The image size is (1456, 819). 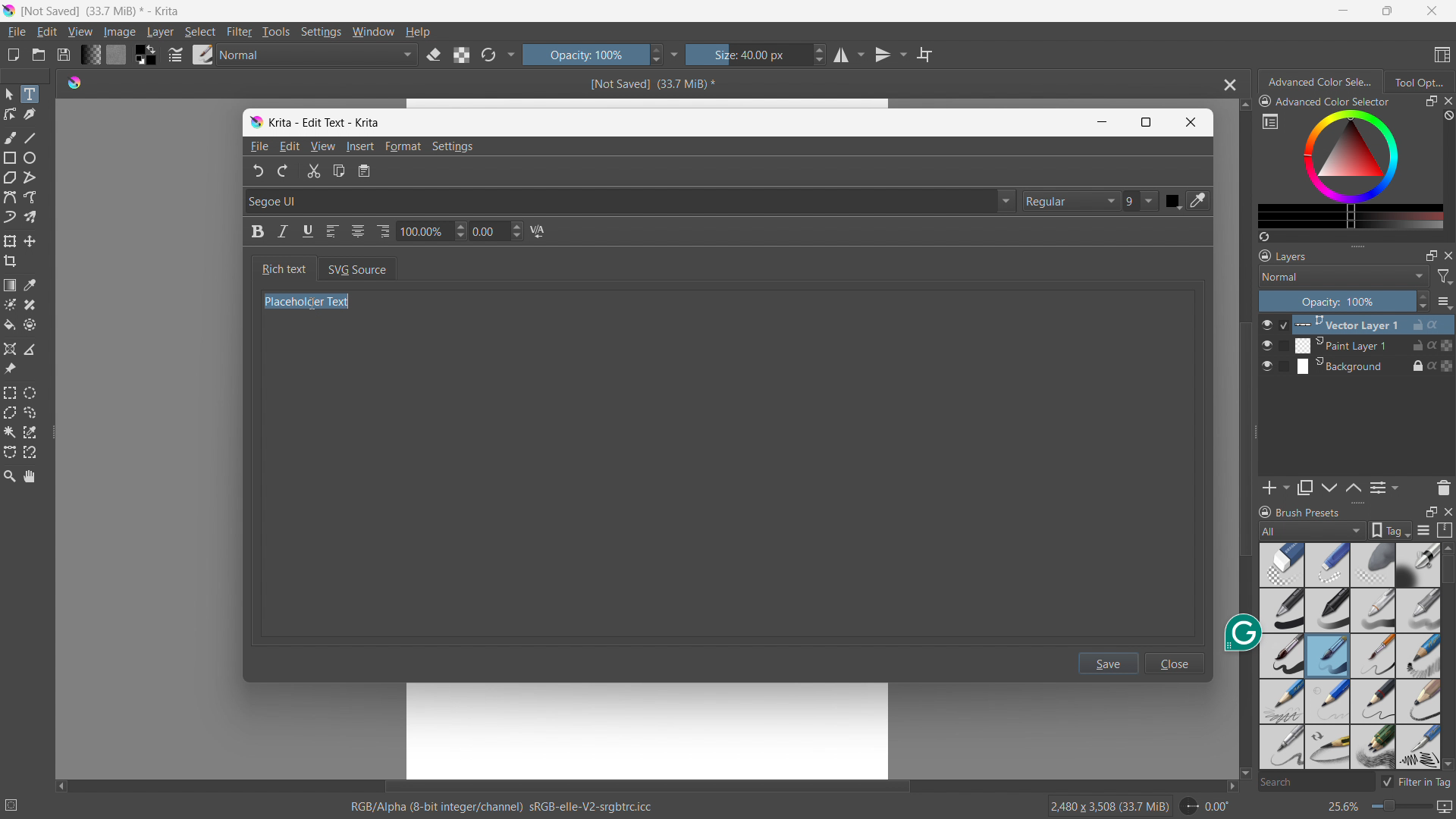 What do you see at coordinates (1276, 488) in the screenshot?
I see `add layer` at bounding box center [1276, 488].